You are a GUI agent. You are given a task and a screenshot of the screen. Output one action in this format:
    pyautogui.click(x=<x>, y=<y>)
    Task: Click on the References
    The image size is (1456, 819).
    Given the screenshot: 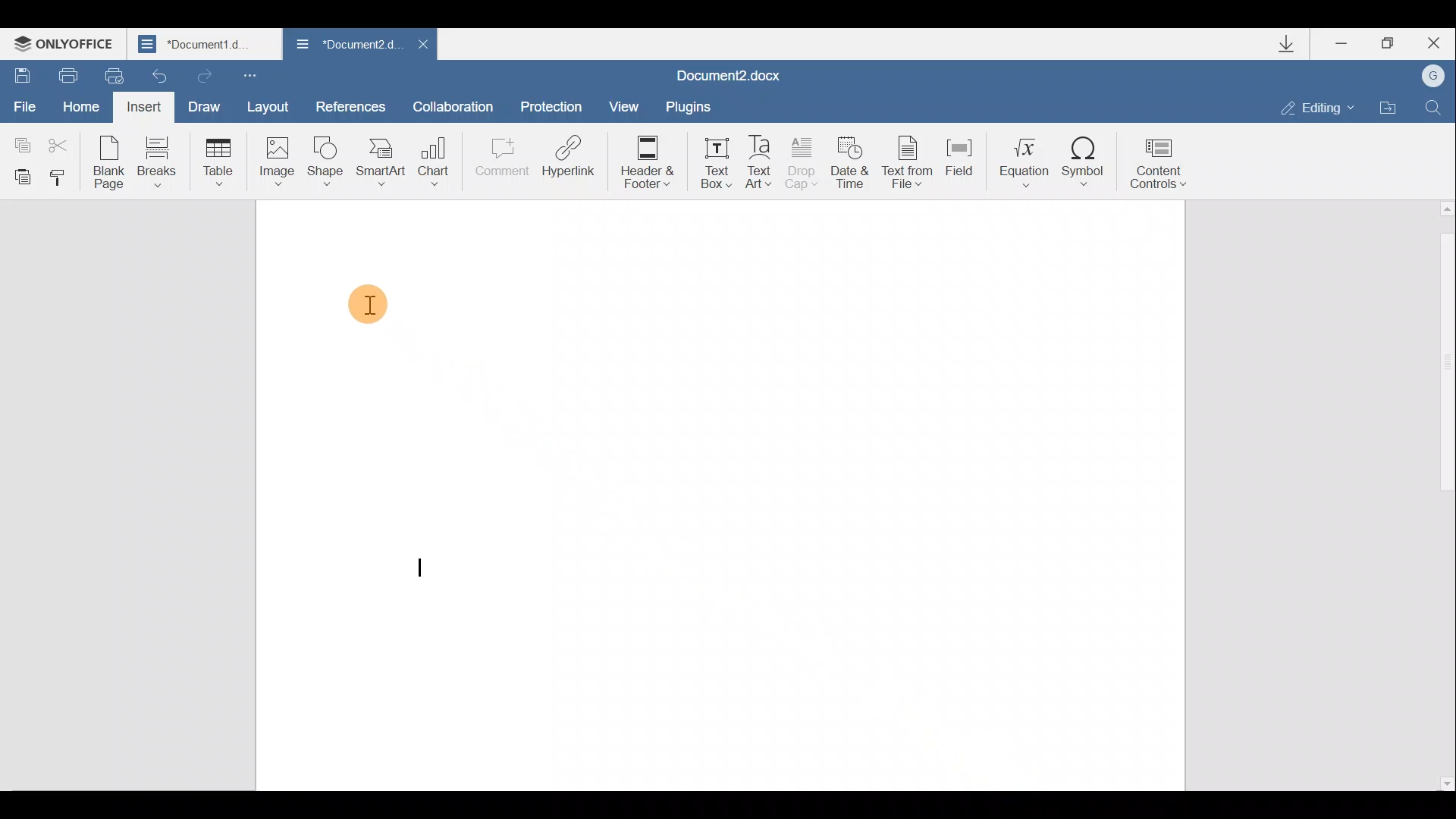 What is the action you would take?
    pyautogui.click(x=351, y=105)
    